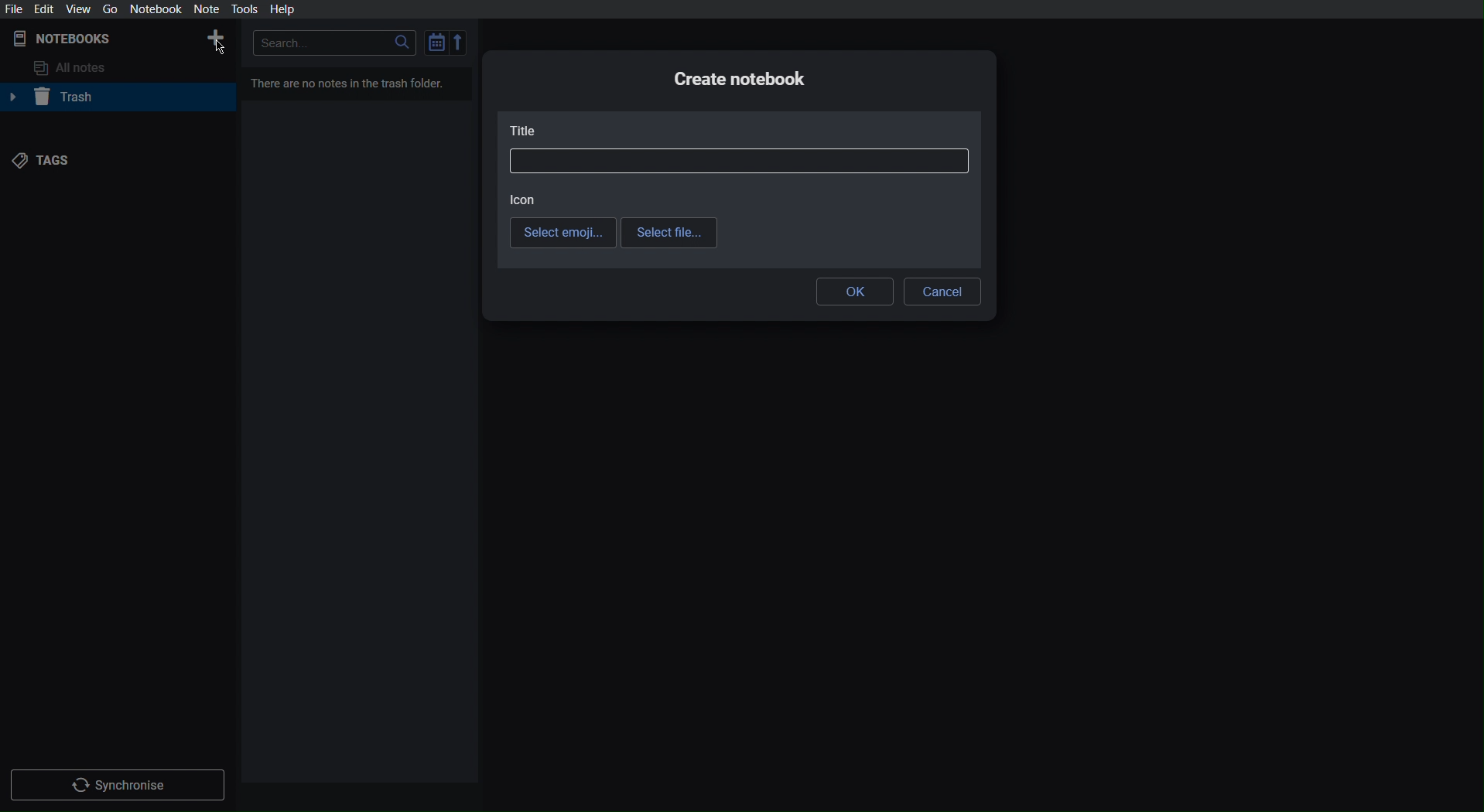  I want to click on Search, so click(336, 43).